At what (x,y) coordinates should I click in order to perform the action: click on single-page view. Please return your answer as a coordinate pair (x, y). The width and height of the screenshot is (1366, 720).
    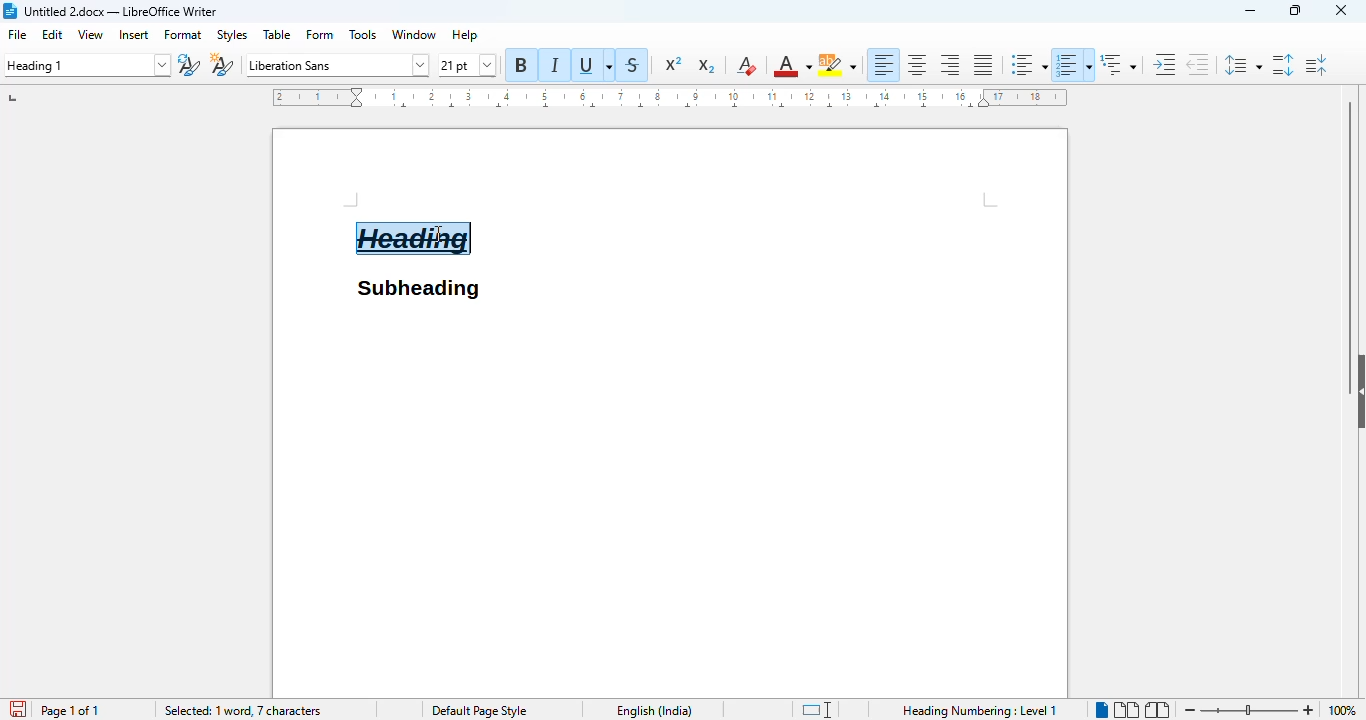
    Looking at the image, I should click on (1101, 708).